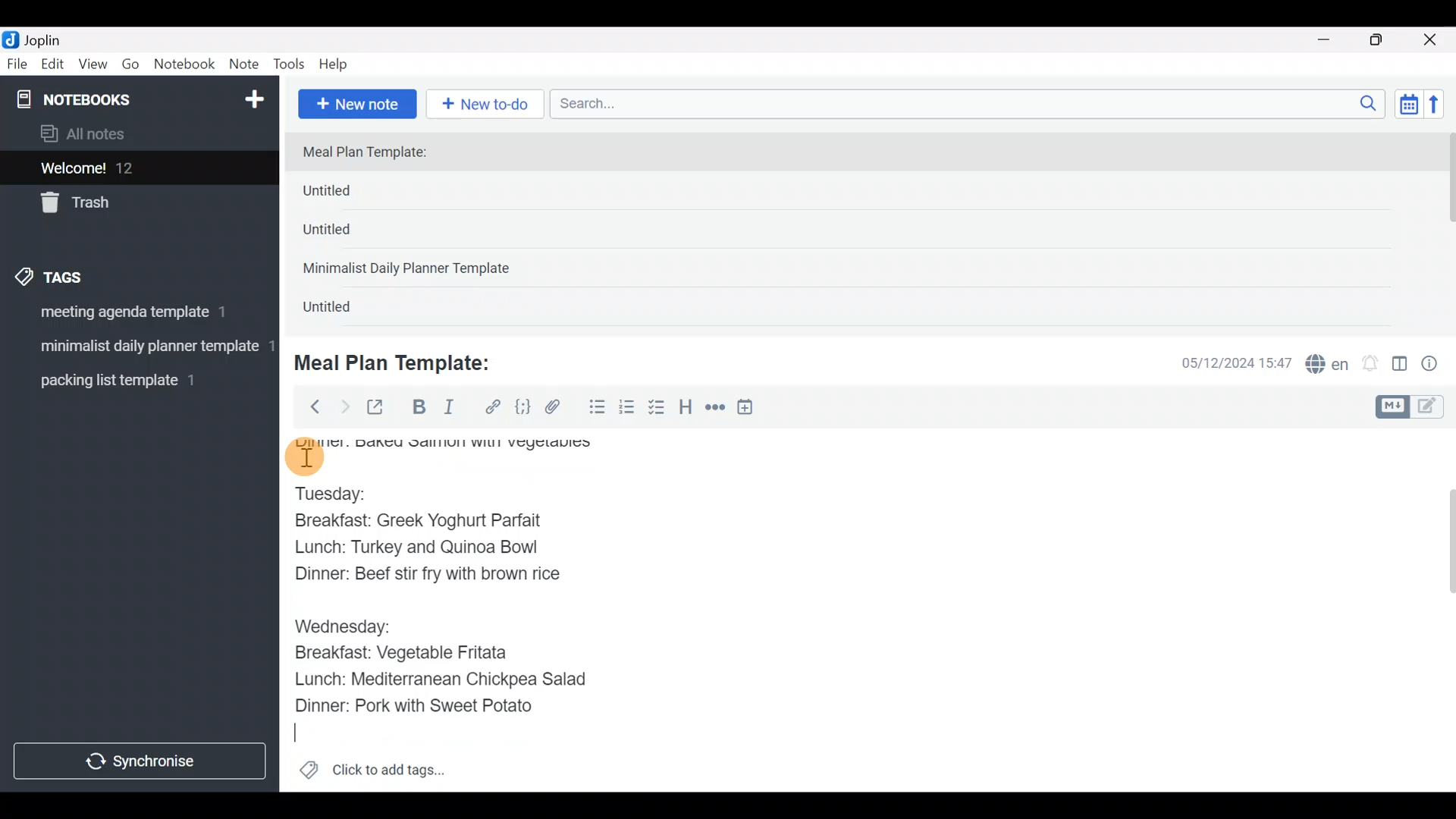 This screenshot has height=819, width=1456. What do you see at coordinates (488, 105) in the screenshot?
I see `New to-do` at bounding box center [488, 105].